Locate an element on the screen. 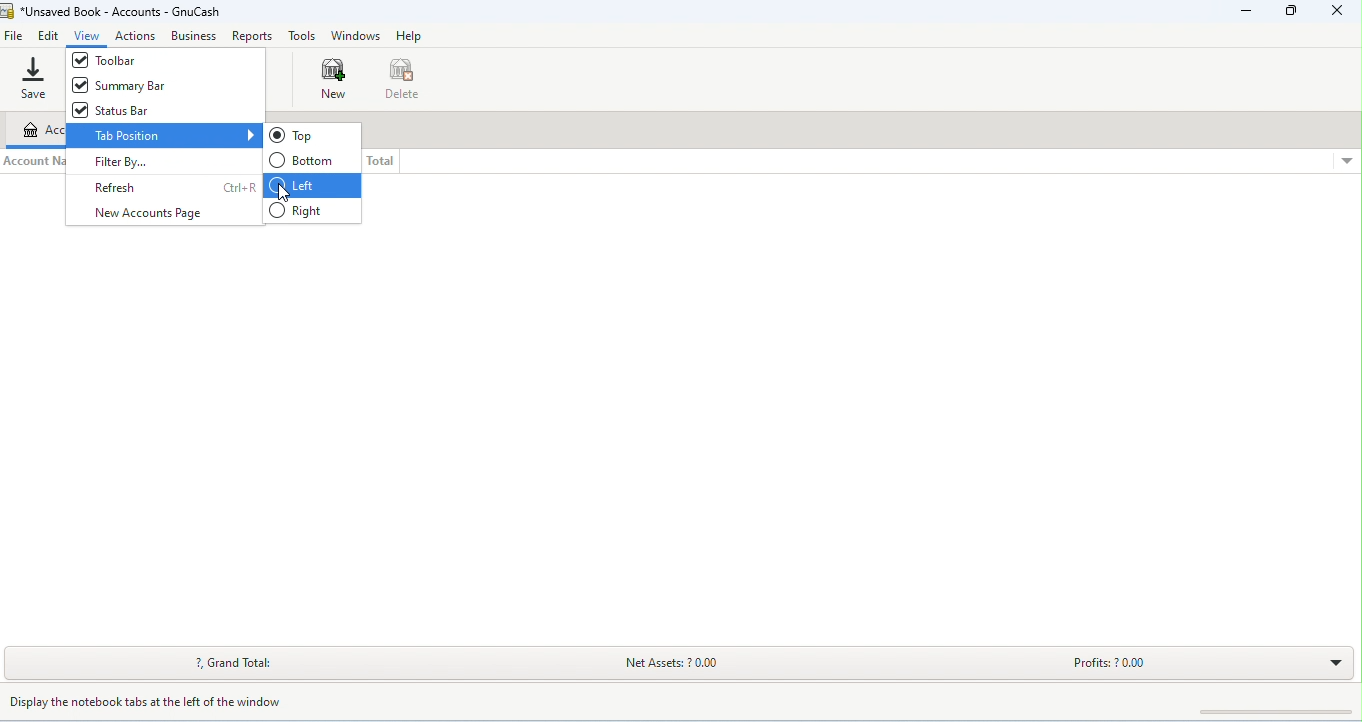  help is located at coordinates (408, 35).